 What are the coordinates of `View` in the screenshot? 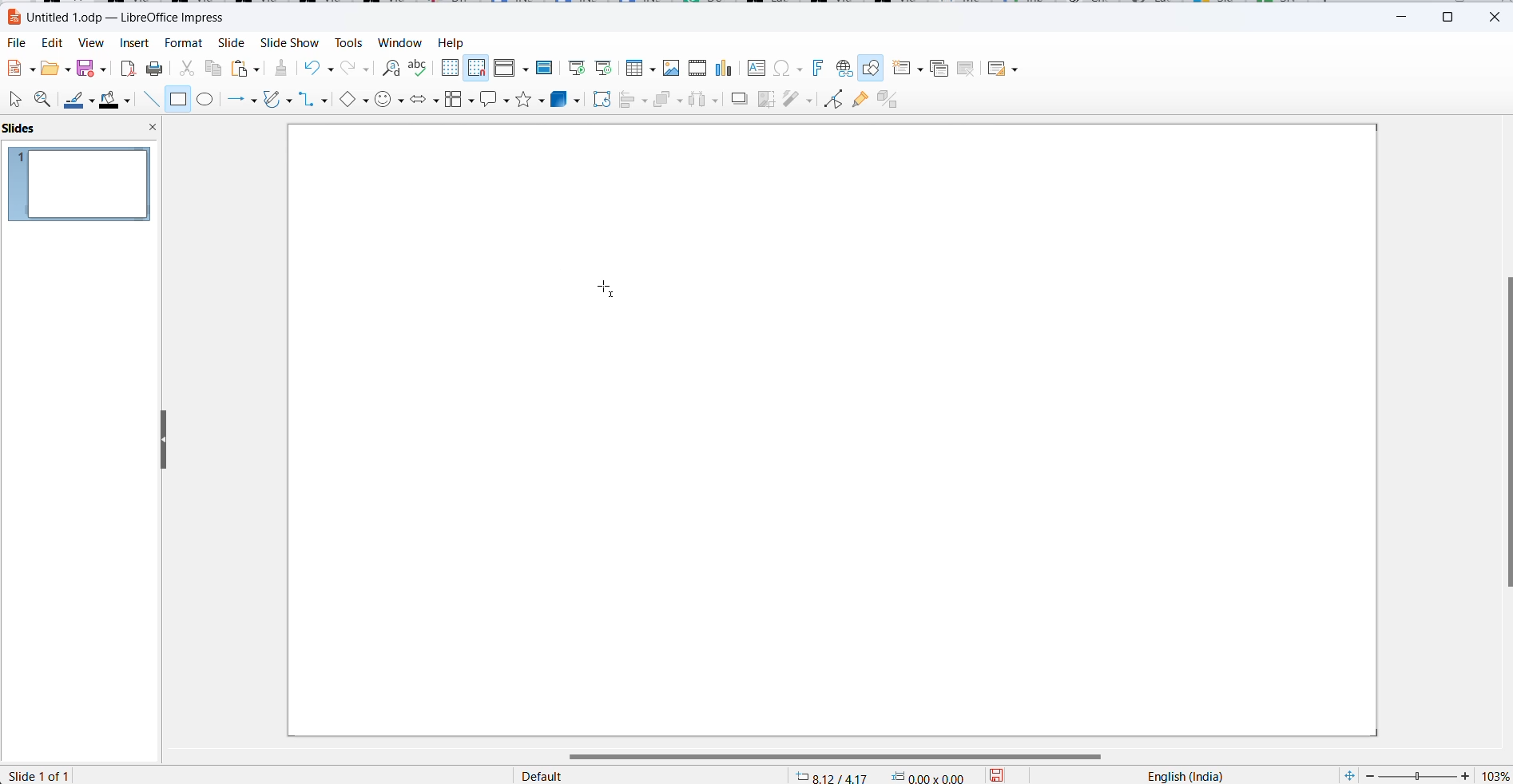 It's located at (91, 44).